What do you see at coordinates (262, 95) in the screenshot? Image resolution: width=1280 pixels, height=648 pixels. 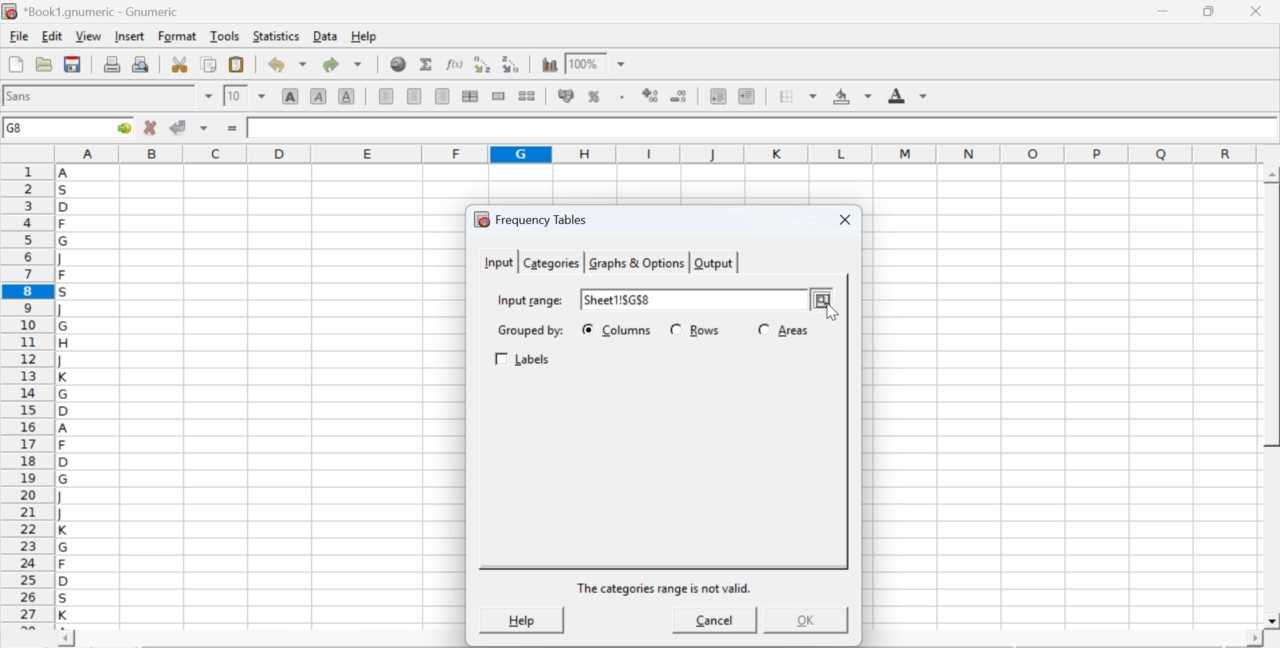 I see `drop down` at bounding box center [262, 95].